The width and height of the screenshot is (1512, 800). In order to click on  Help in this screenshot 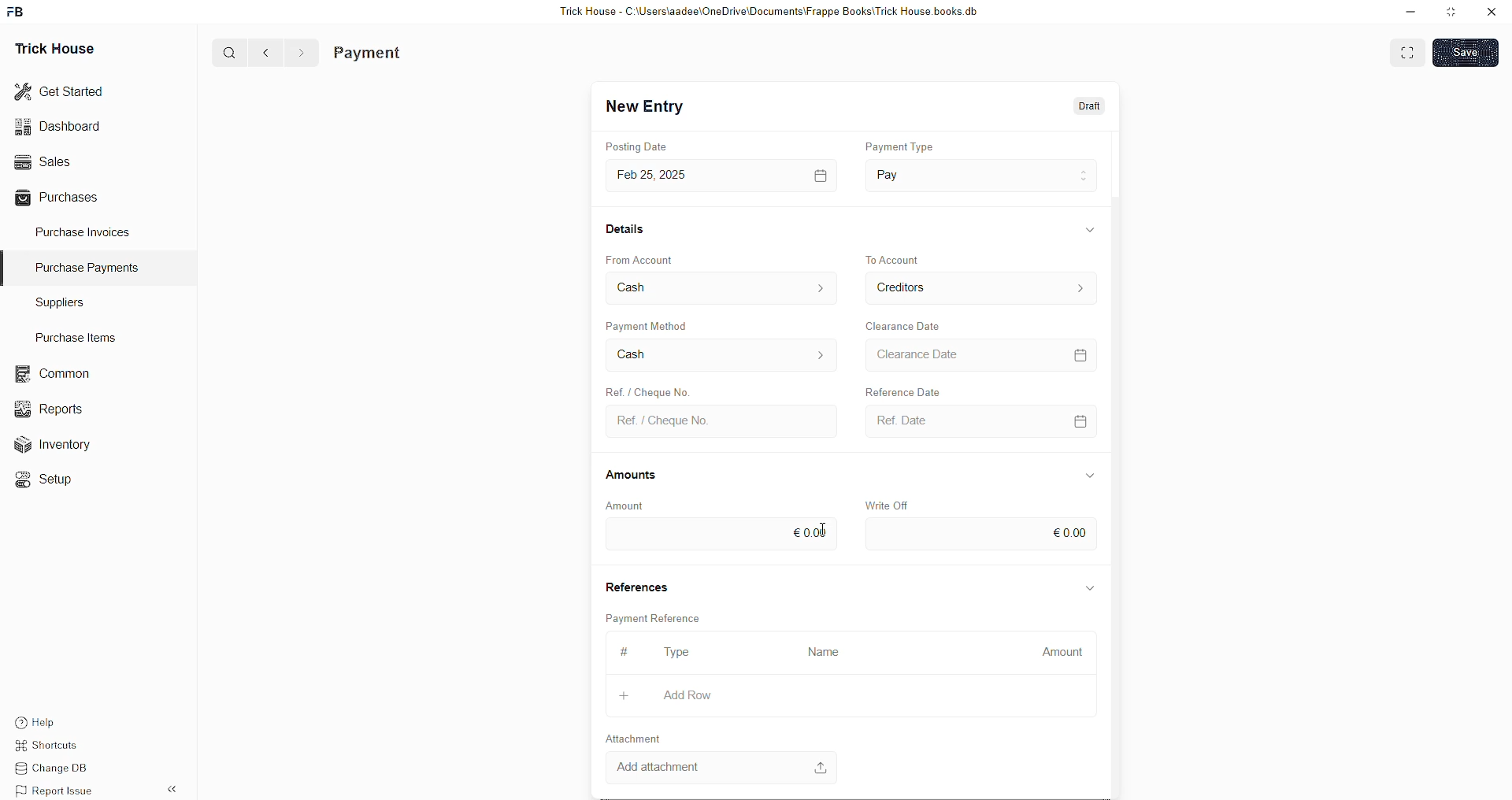, I will do `click(59, 720)`.